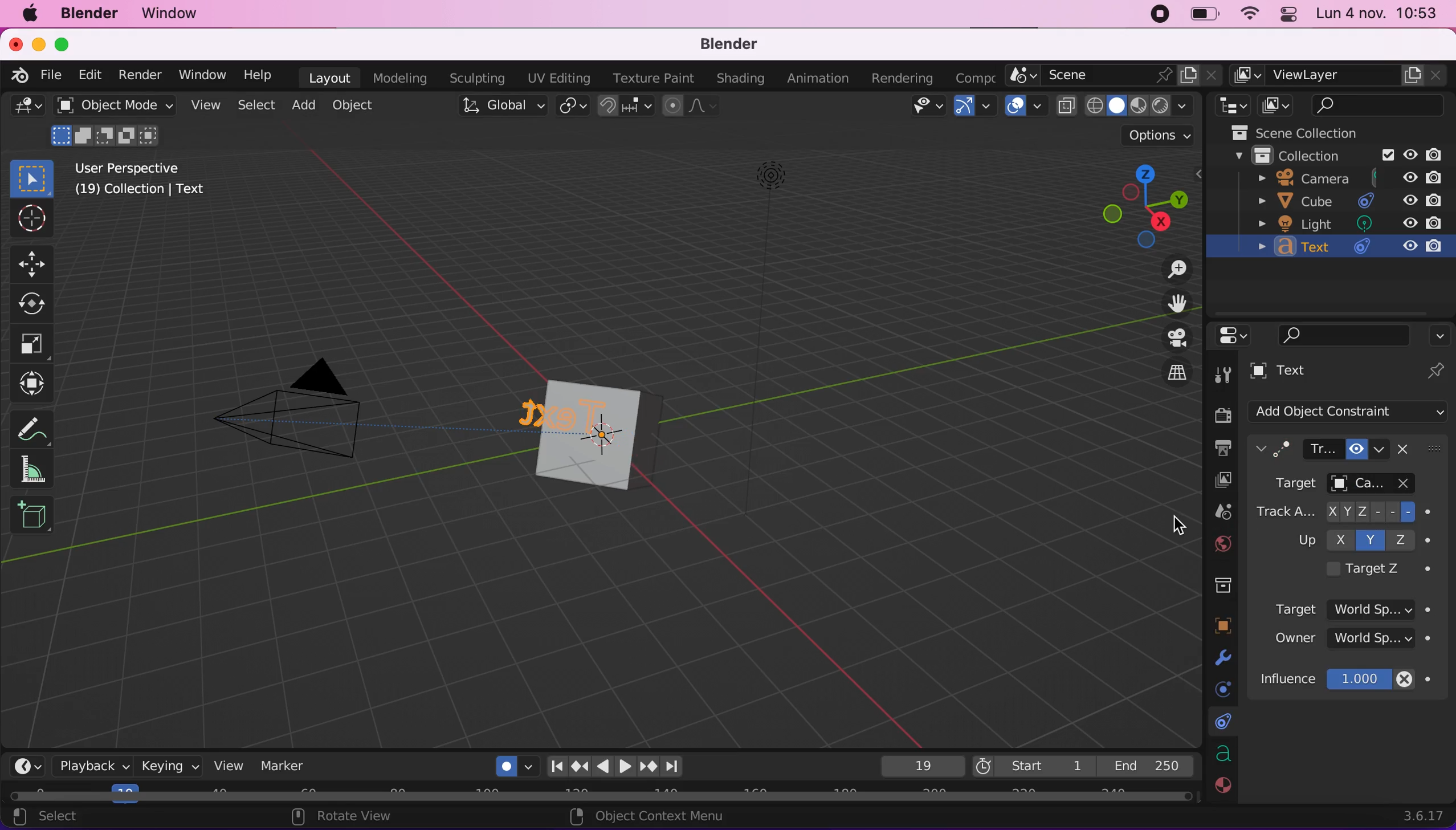 Image resolution: width=1456 pixels, height=830 pixels. What do you see at coordinates (1208, 15) in the screenshot?
I see `battery` at bounding box center [1208, 15].